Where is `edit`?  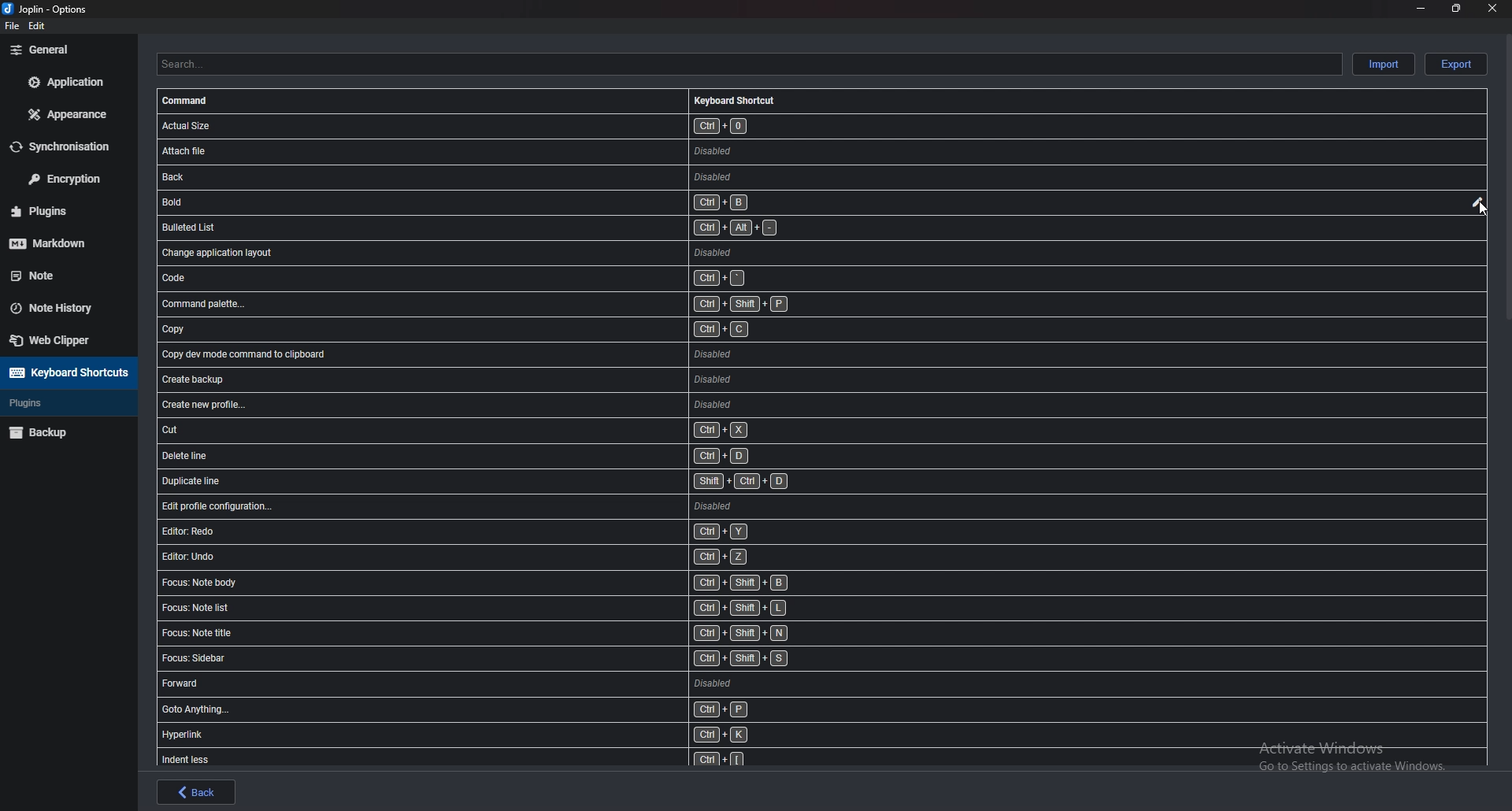 edit is located at coordinates (35, 25).